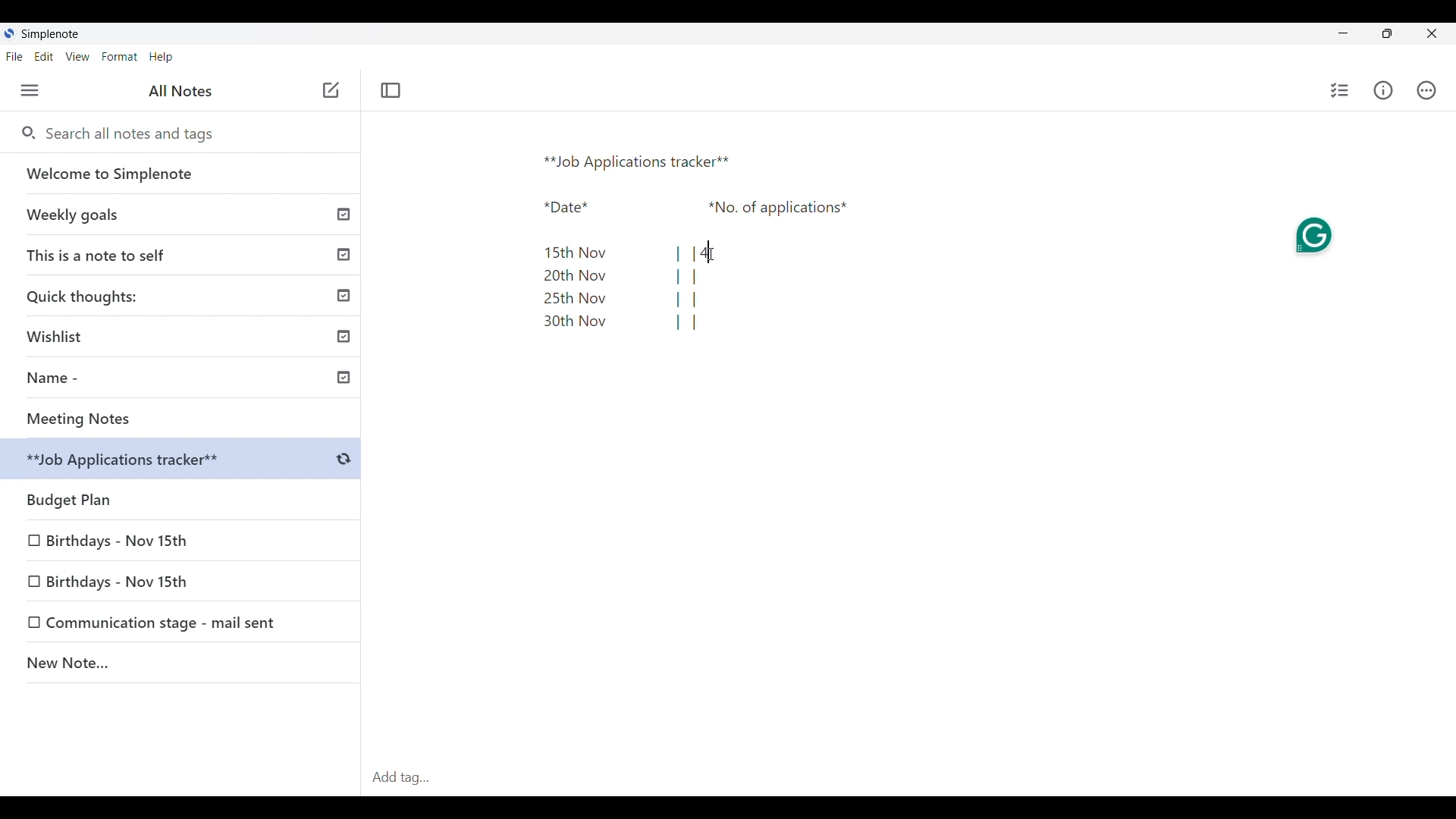 The height and width of the screenshot is (819, 1456). What do you see at coordinates (30, 90) in the screenshot?
I see `Menu` at bounding box center [30, 90].